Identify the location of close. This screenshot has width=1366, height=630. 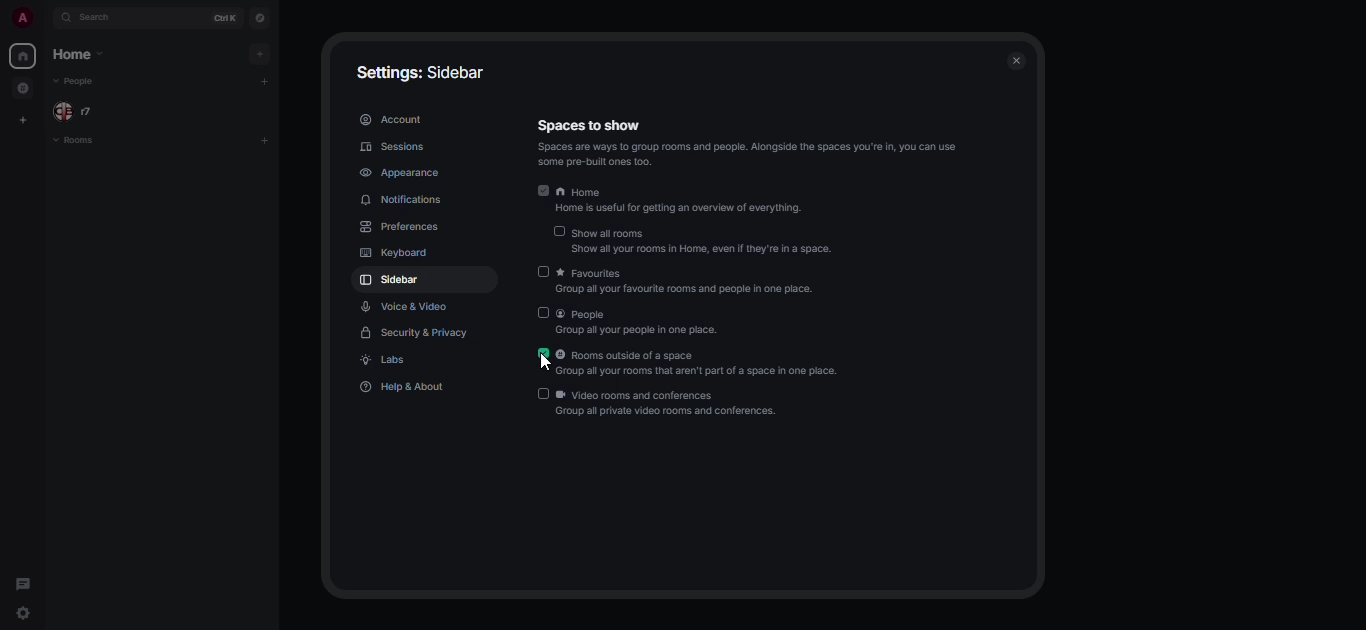
(1019, 58).